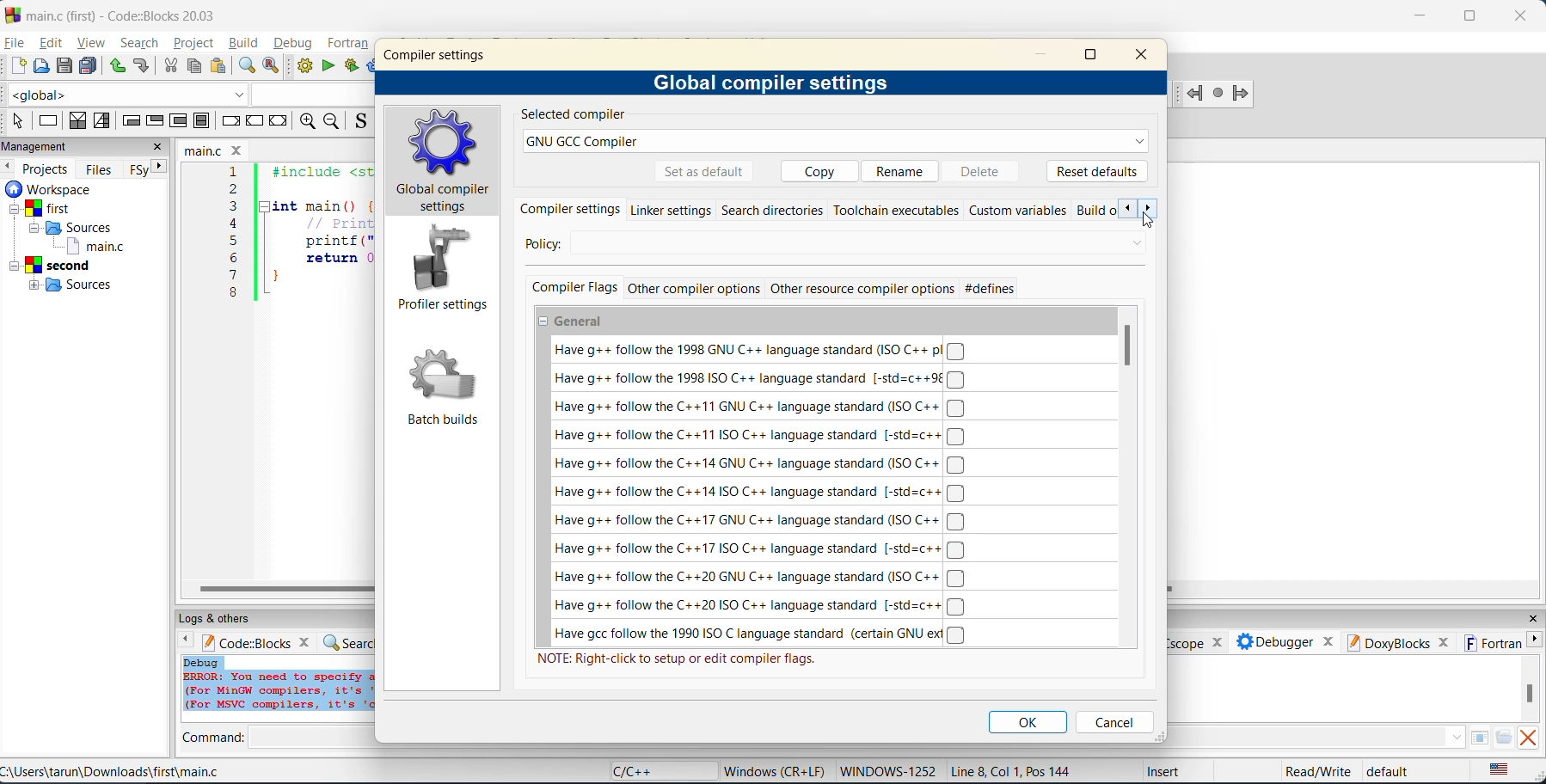  I want to click on zoom in, so click(310, 122).